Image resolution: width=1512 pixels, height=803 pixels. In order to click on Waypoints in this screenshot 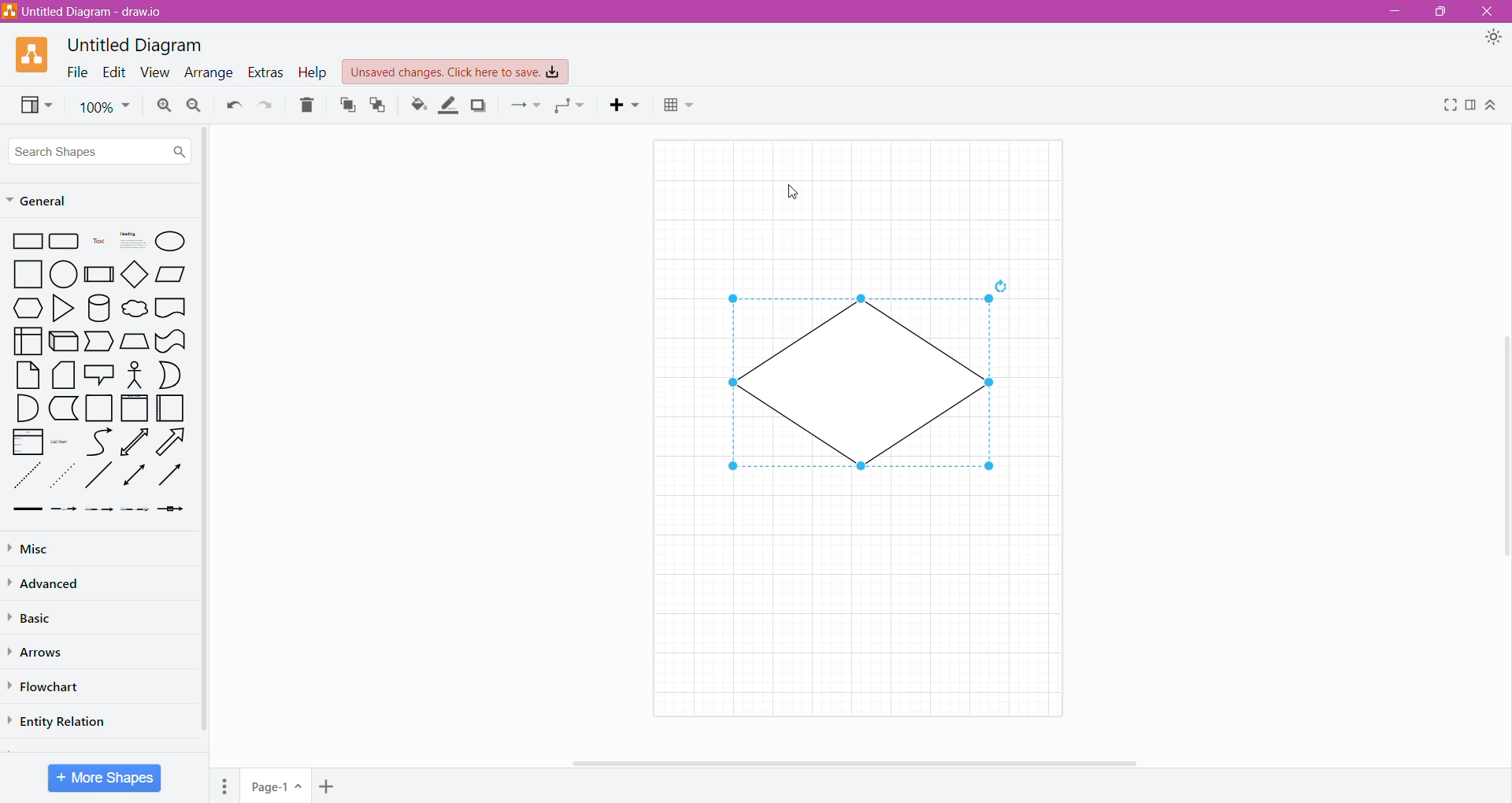, I will do `click(571, 107)`.